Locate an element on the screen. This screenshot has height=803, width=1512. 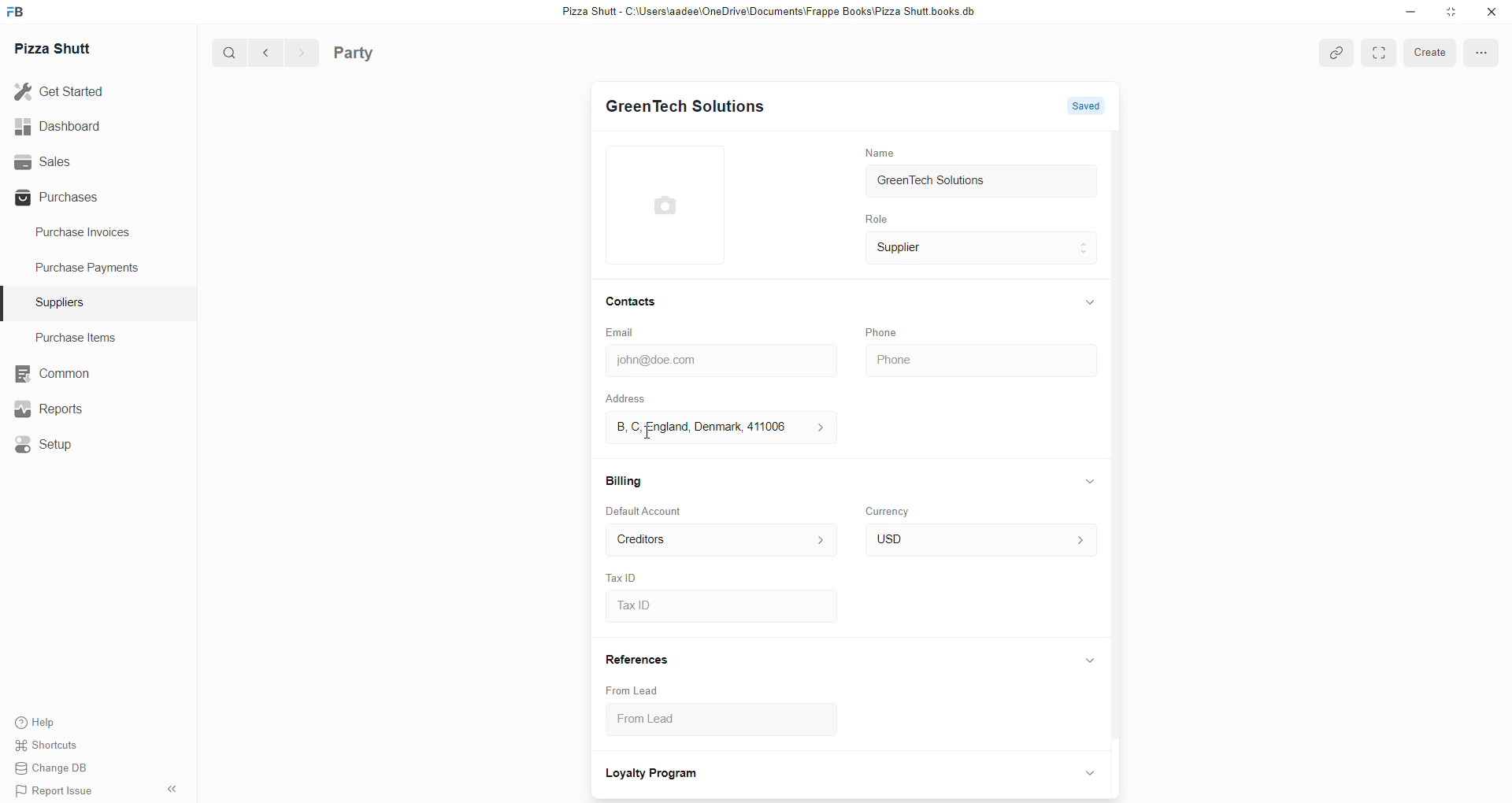
placeholder for image is located at coordinates (670, 205).